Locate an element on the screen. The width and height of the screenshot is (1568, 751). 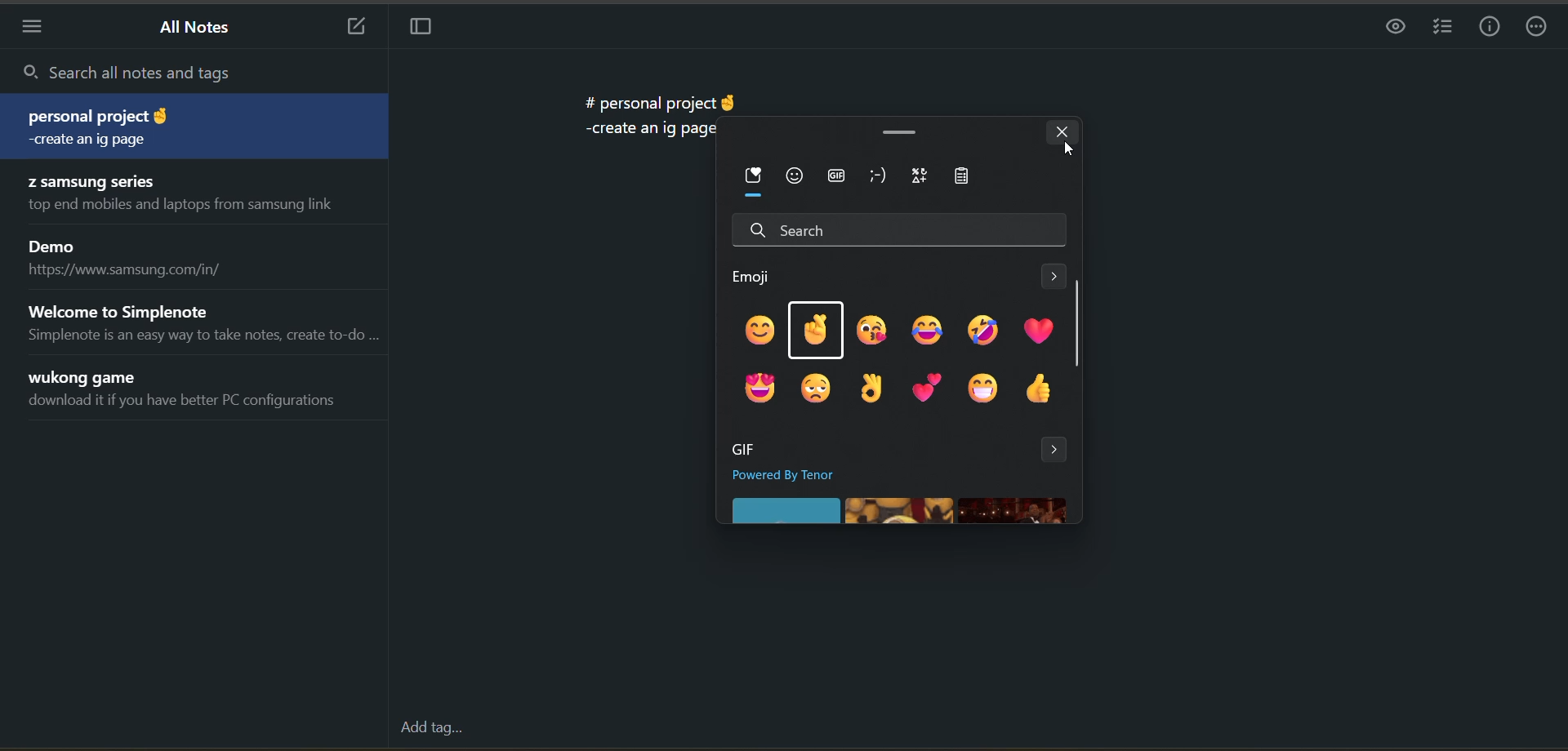
symbols is located at coordinates (921, 176).